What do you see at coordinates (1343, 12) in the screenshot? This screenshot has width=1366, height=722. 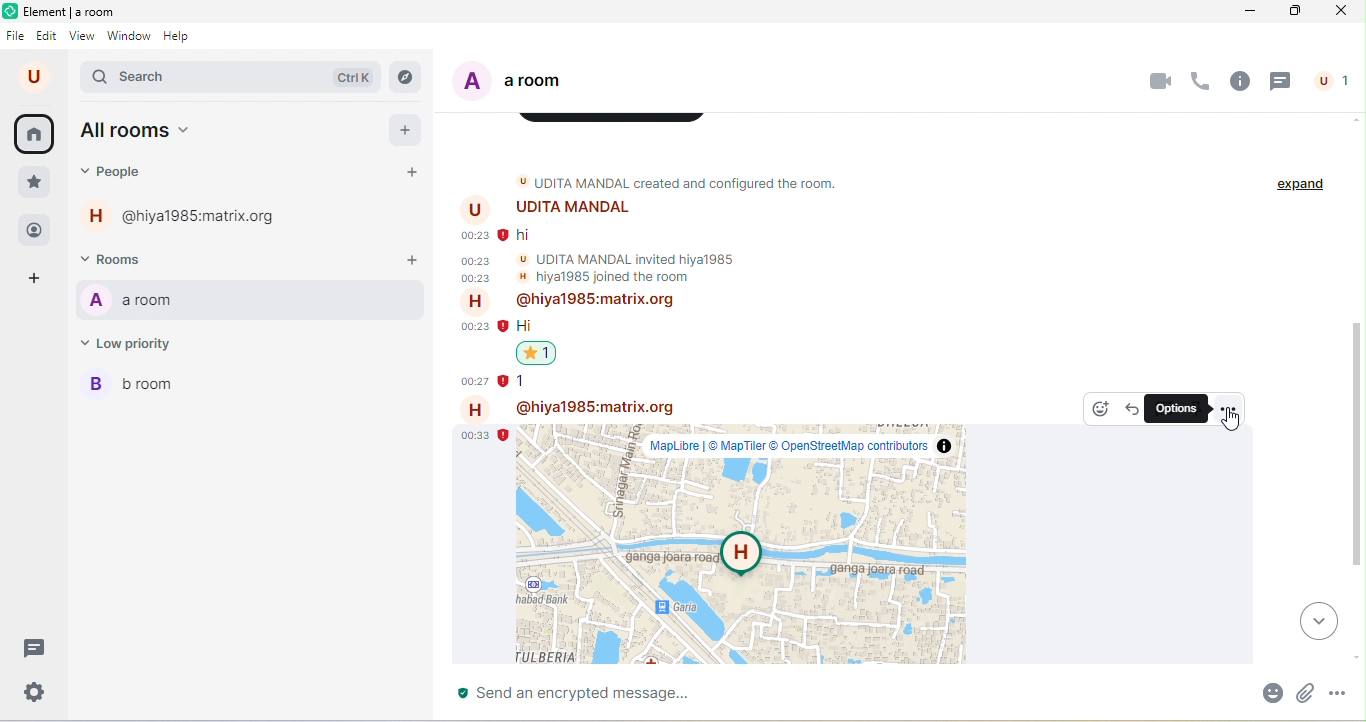 I see `close` at bounding box center [1343, 12].